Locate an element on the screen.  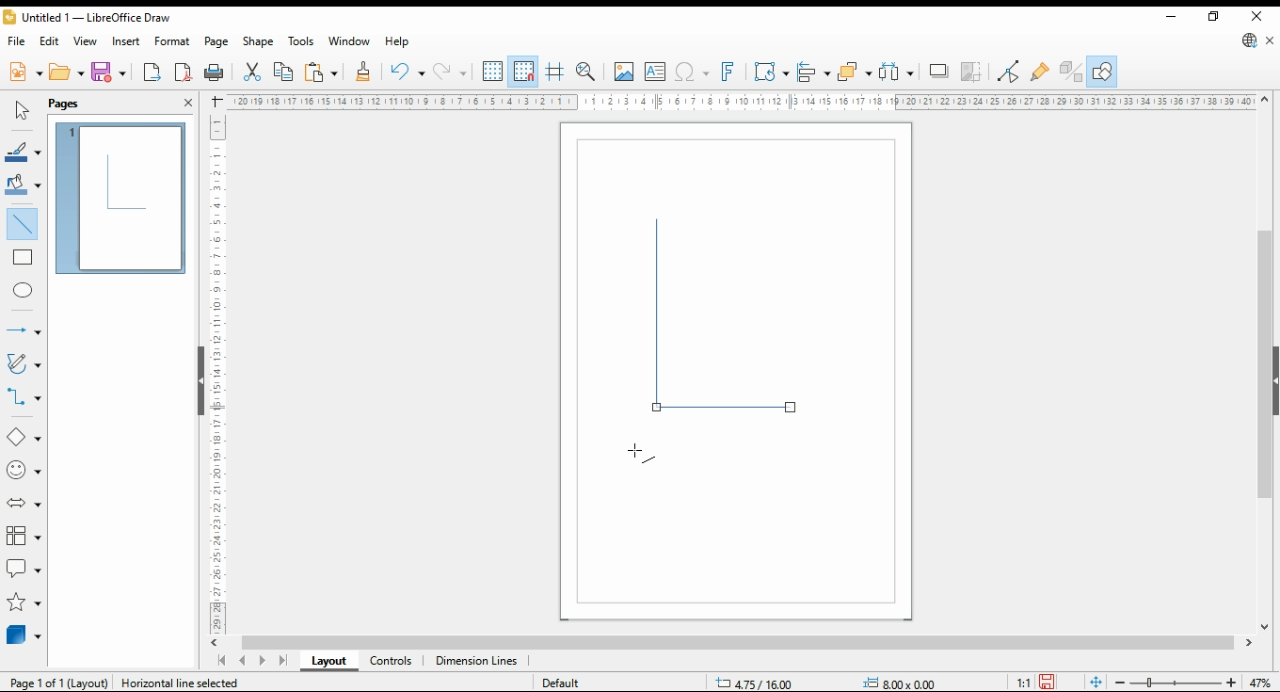
print is located at coordinates (214, 73).